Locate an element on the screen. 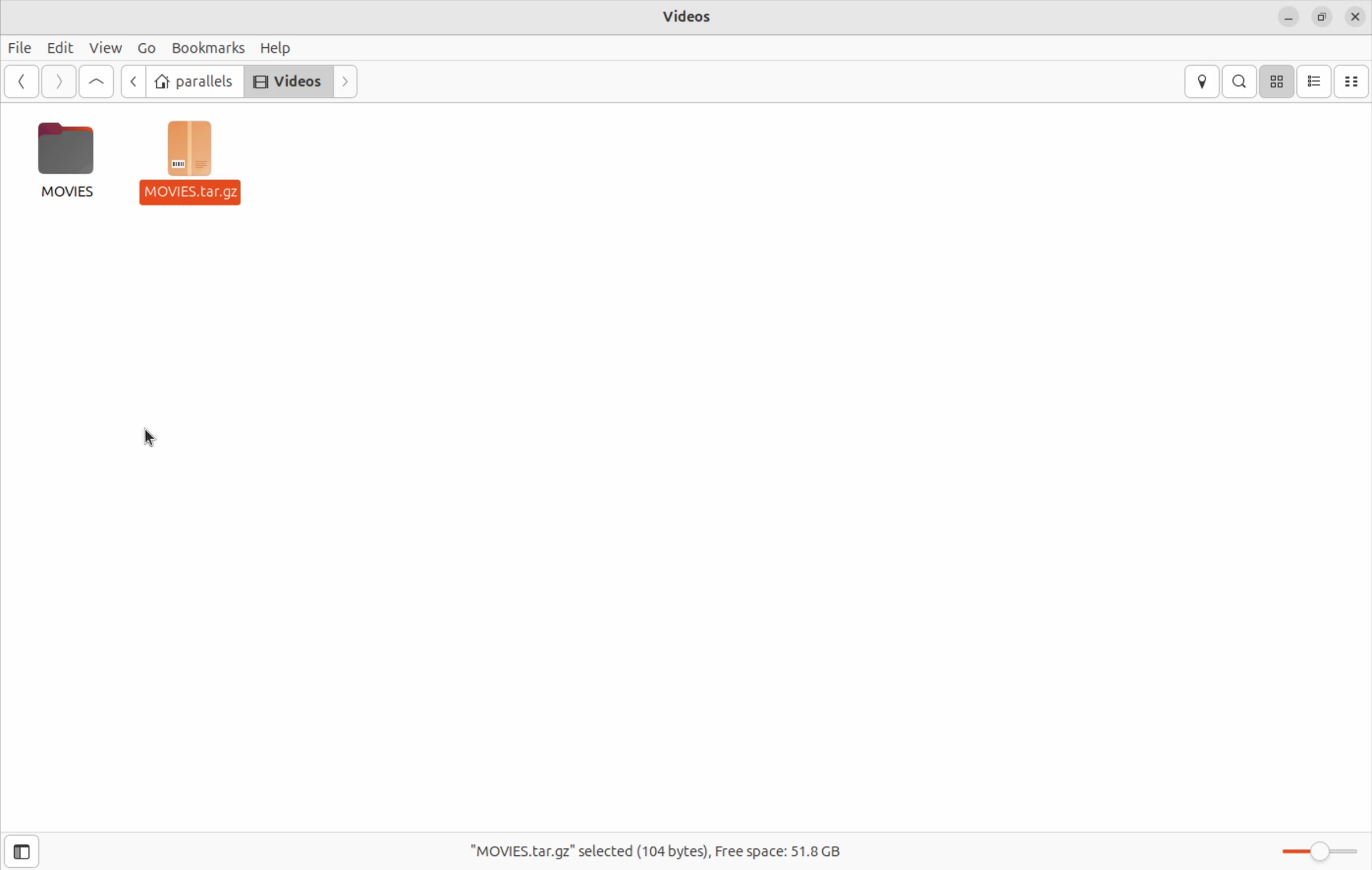  File is located at coordinates (20, 48).